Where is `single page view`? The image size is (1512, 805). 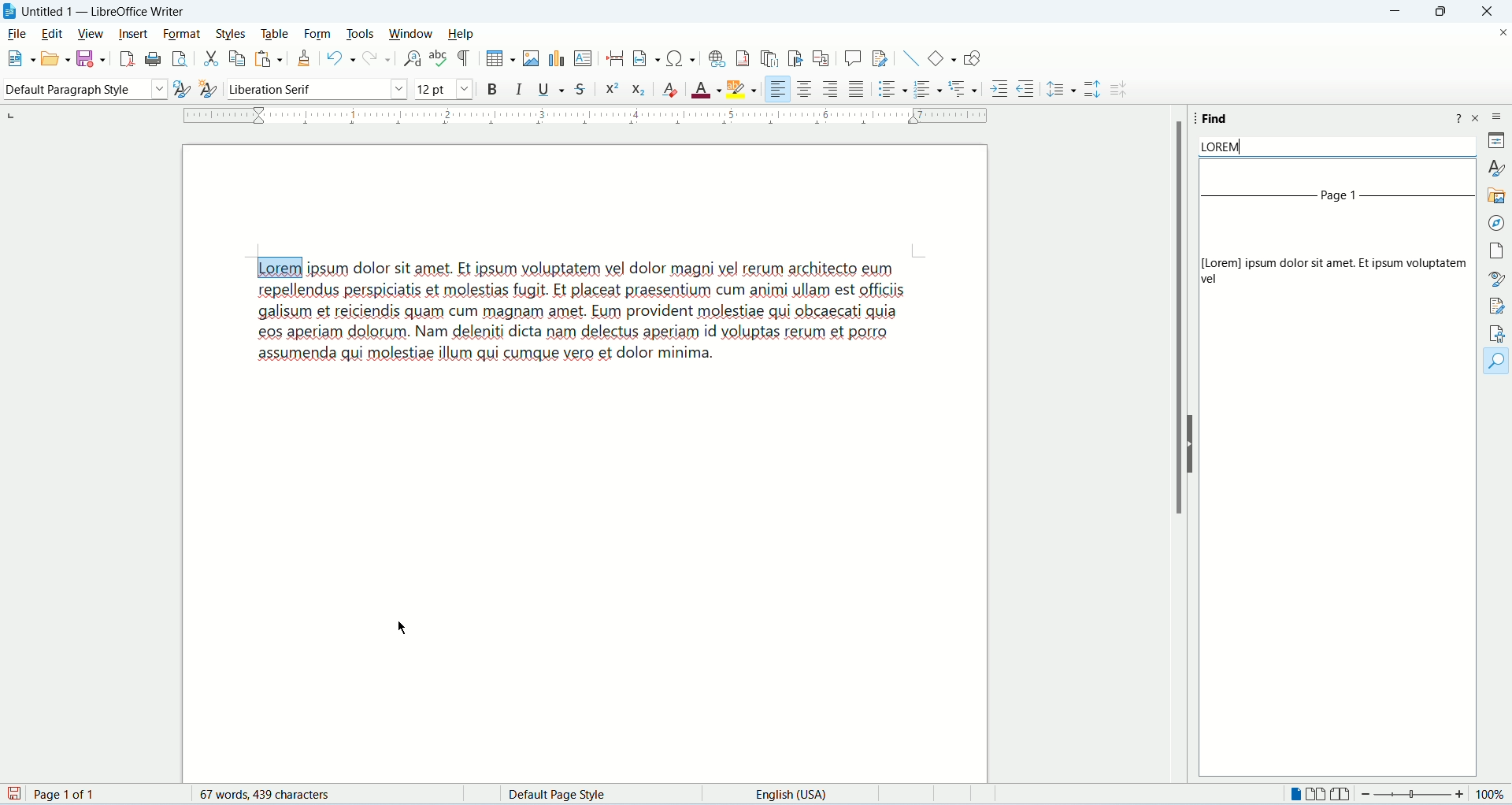
single page view is located at coordinates (1297, 796).